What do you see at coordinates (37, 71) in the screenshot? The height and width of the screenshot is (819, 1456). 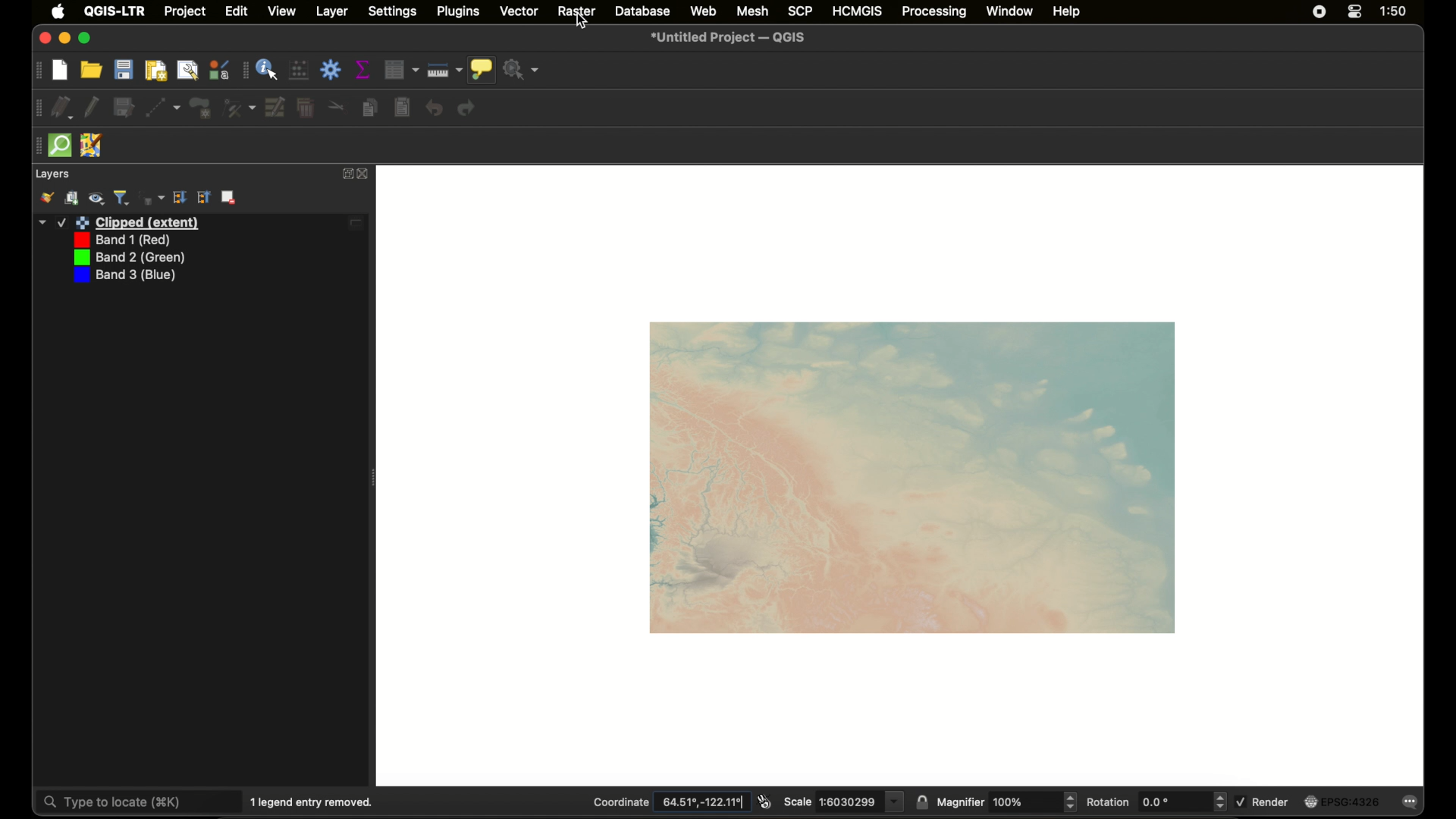 I see `drag handle` at bounding box center [37, 71].